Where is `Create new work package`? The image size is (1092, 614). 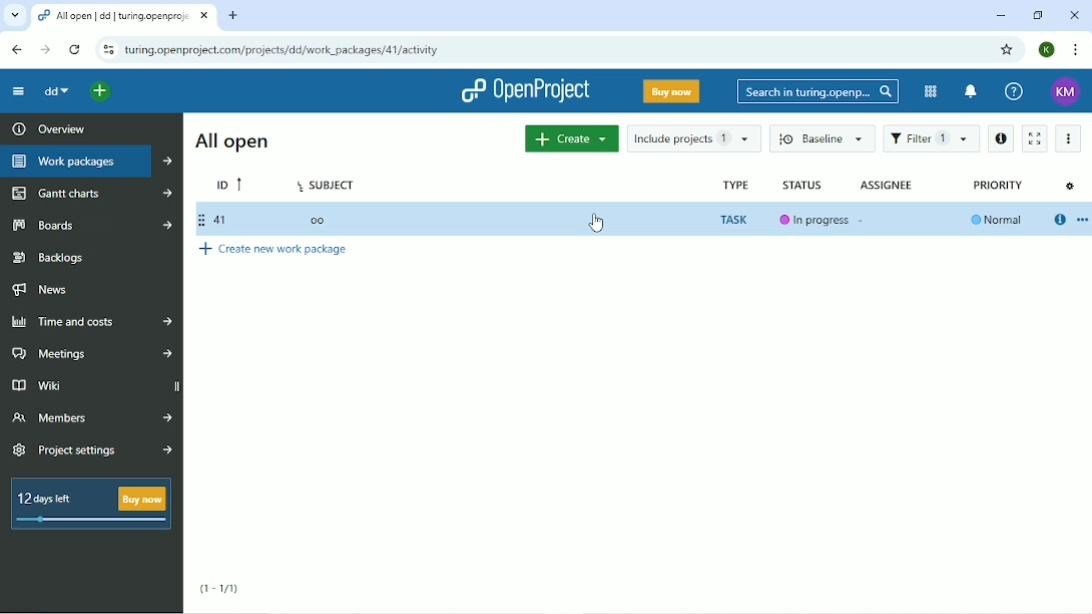 Create new work package is located at coordinates (274, 250).